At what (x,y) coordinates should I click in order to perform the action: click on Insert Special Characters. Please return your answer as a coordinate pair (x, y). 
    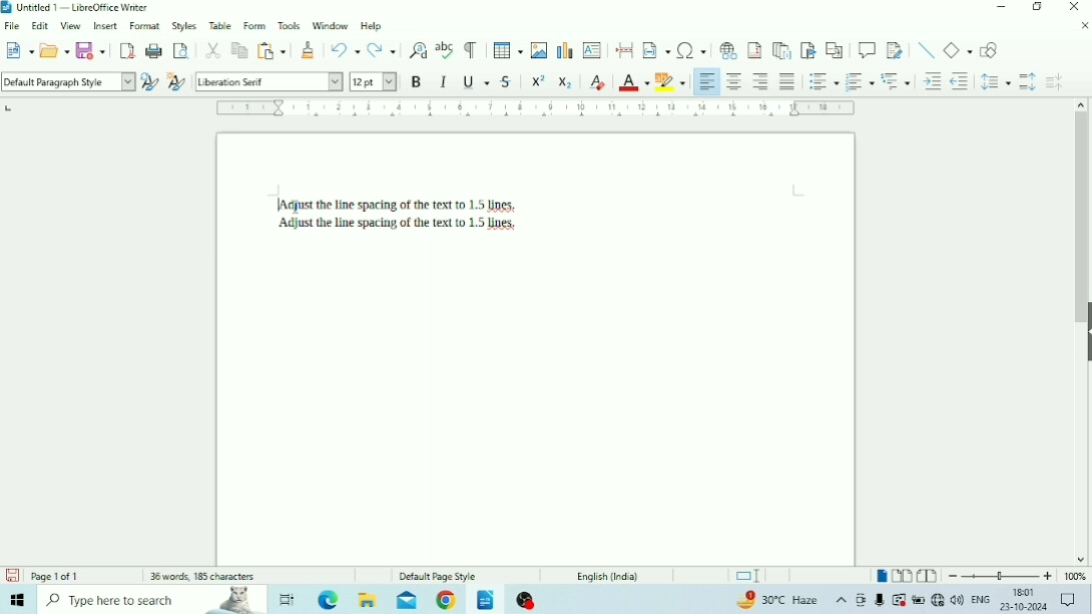
    Looking at the image, I should click on (692, 49).